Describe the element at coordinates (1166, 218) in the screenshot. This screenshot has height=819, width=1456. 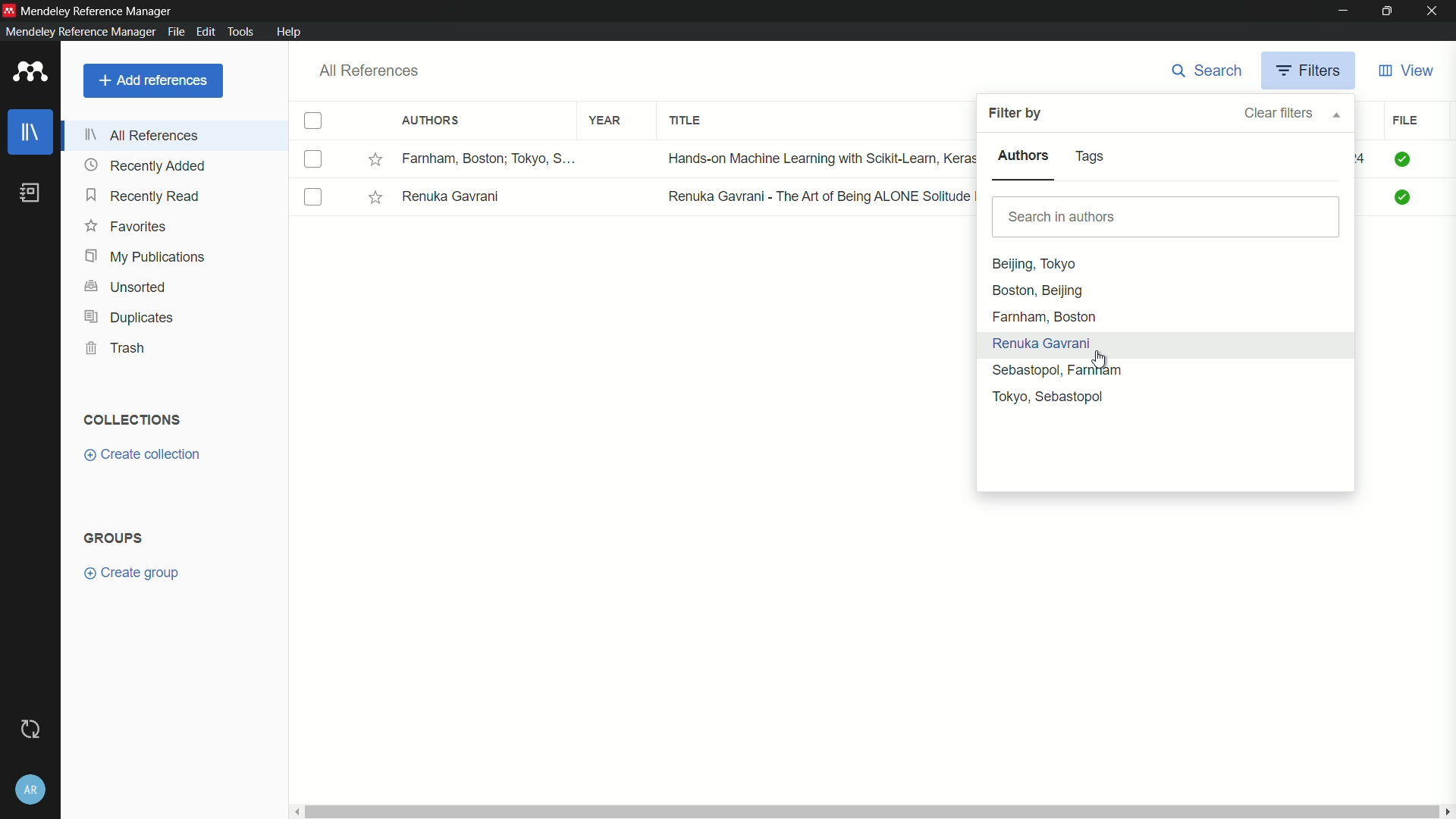
I see `search bar` at that location.